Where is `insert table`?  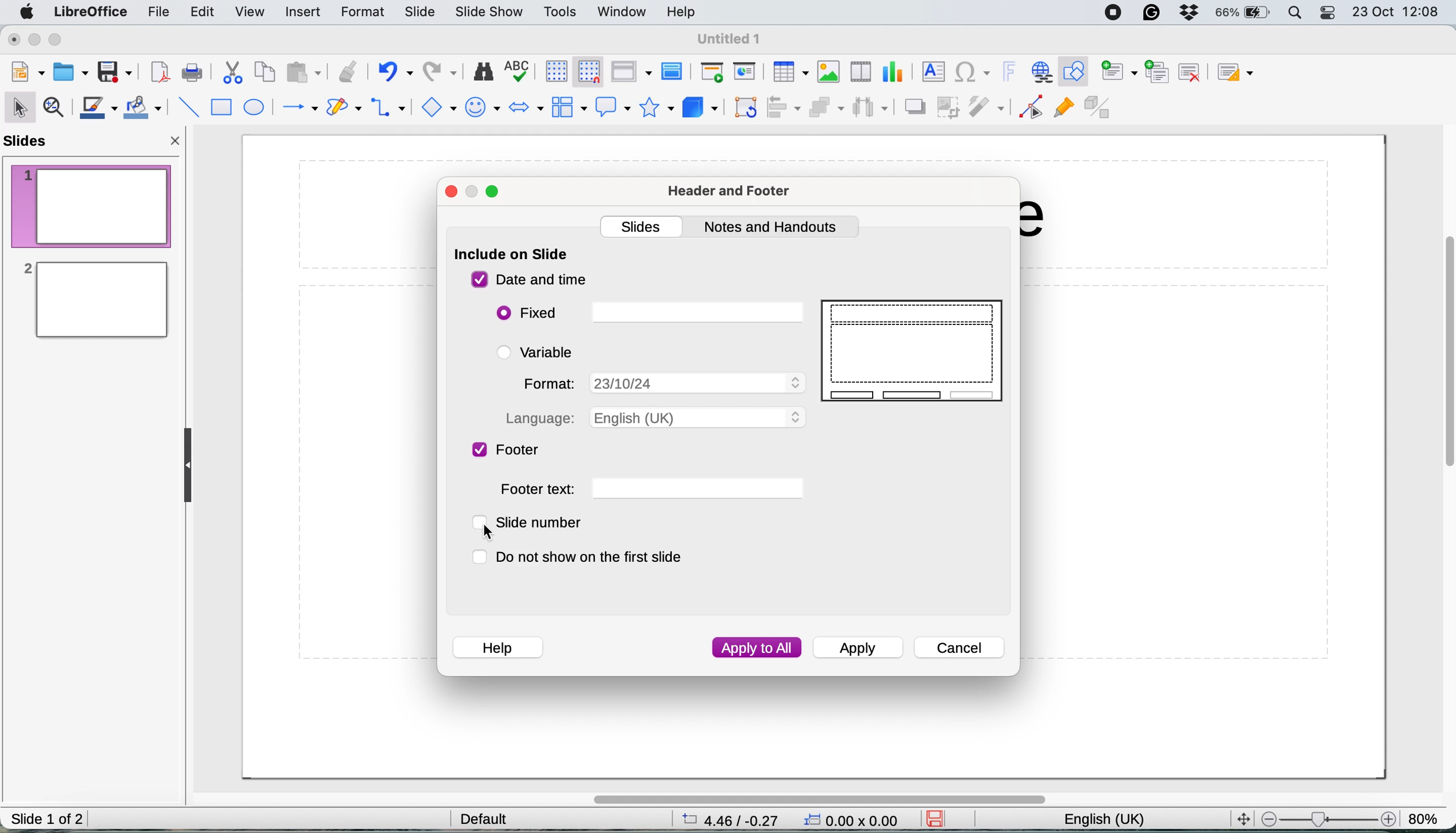
insert table is located at coordinates (789, 72).